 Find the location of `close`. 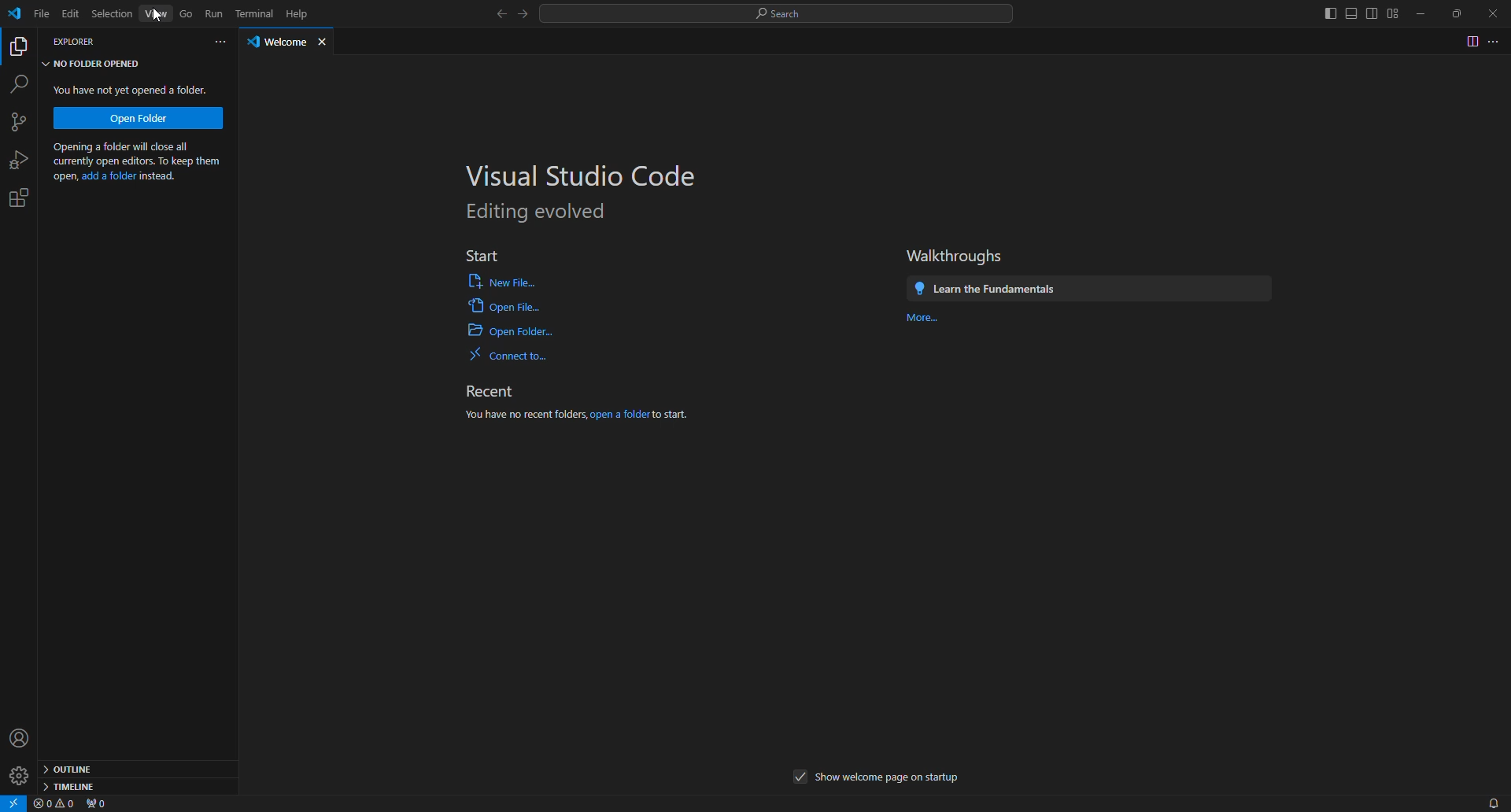

close is located at coordinates (327, 44).